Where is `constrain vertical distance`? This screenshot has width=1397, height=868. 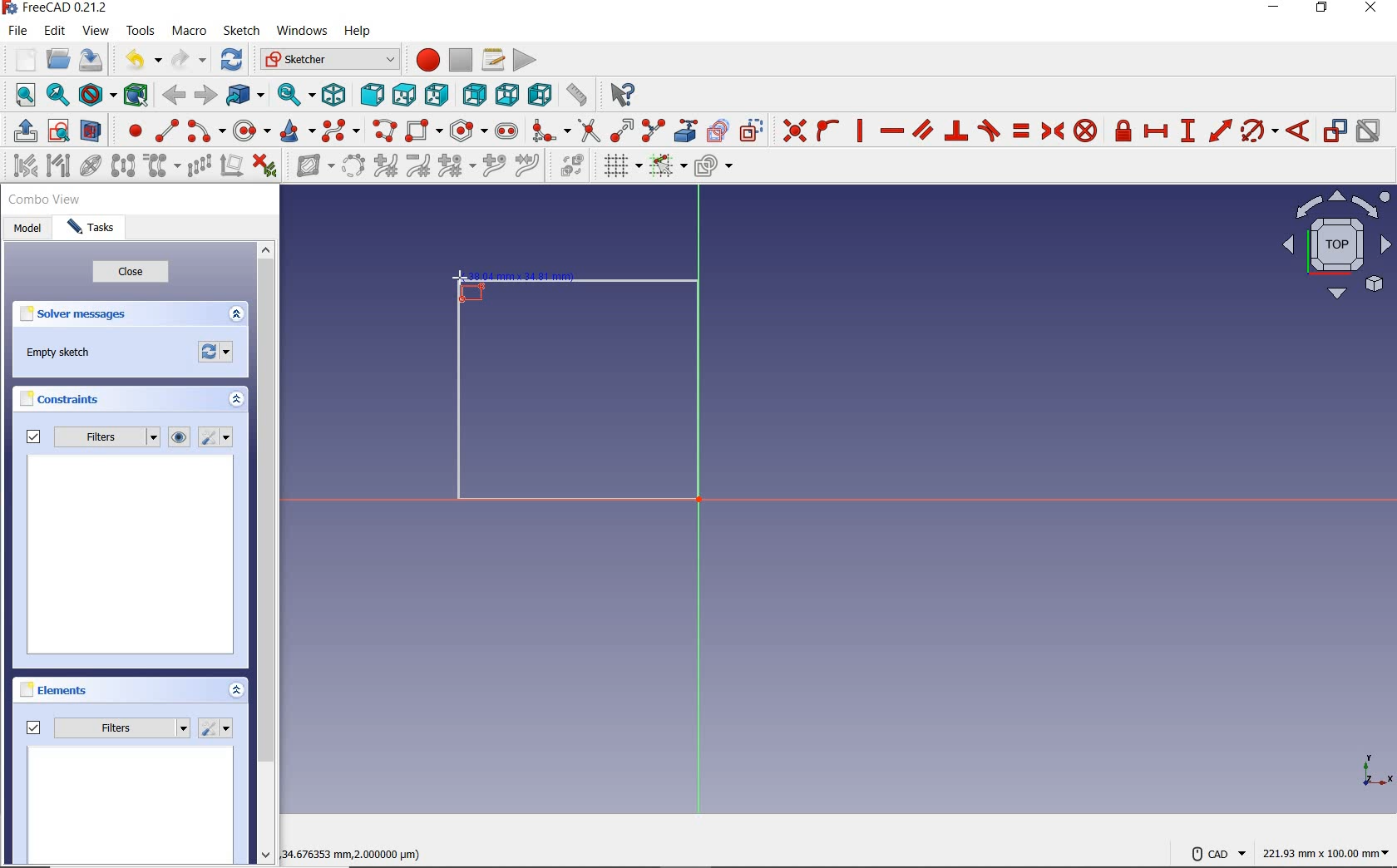 constrain vertical distance is located at coordinates (1190, 132).